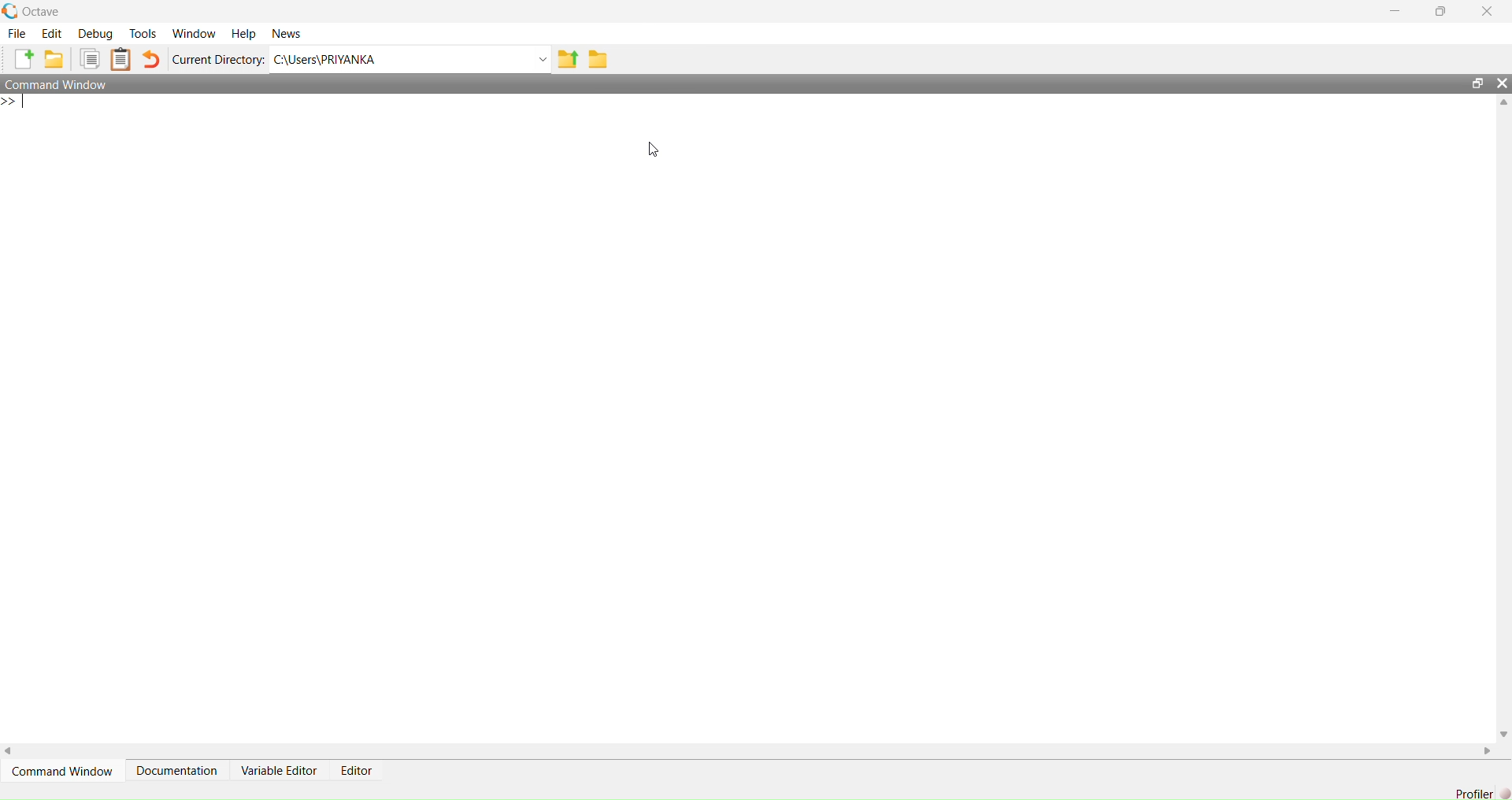 This screenshot has width=1512, height=800. What do you see at coordinates (61, 770) in the screenshot?
I see `Command Window` at bounding box center [61, 770].